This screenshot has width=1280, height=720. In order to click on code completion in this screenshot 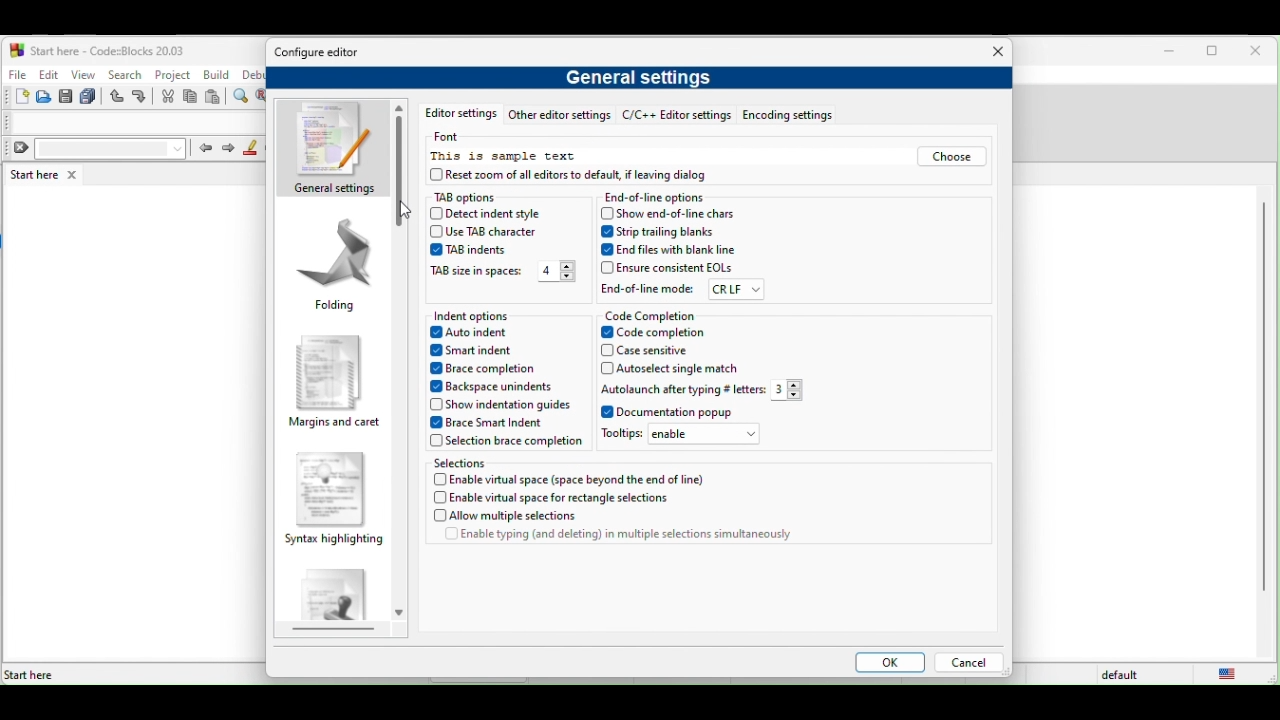, I will do `click(653, 315)`.